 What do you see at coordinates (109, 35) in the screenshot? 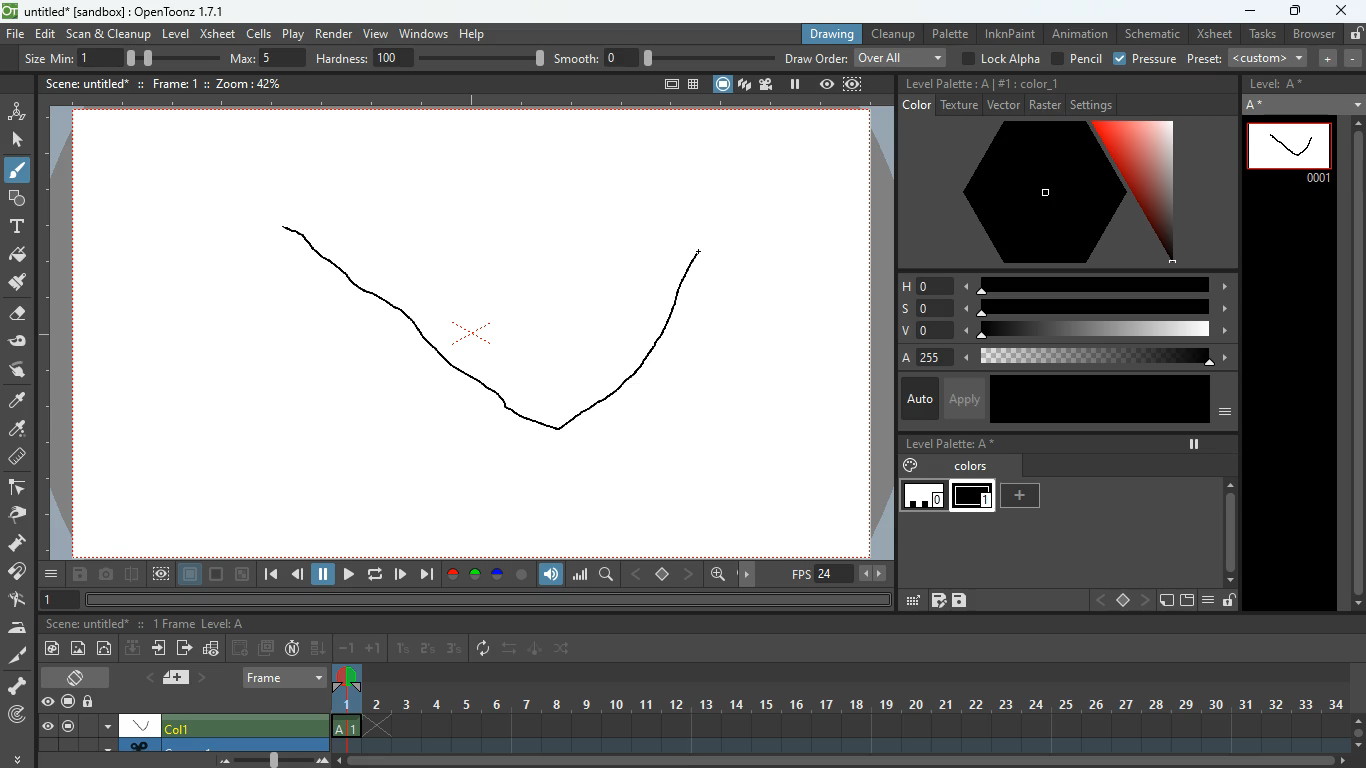
I see `scan & cleanup` at bounding box center [109, 35].